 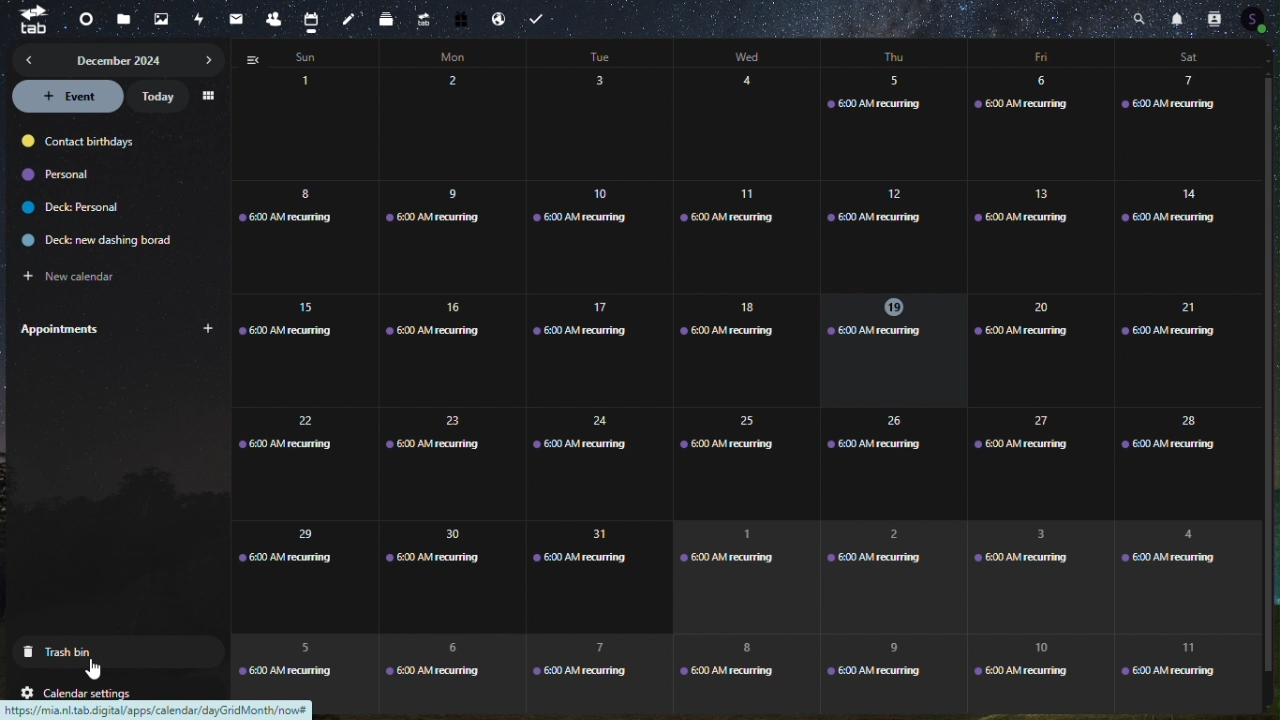 I want to click on personal, so click(x=61, y=175).